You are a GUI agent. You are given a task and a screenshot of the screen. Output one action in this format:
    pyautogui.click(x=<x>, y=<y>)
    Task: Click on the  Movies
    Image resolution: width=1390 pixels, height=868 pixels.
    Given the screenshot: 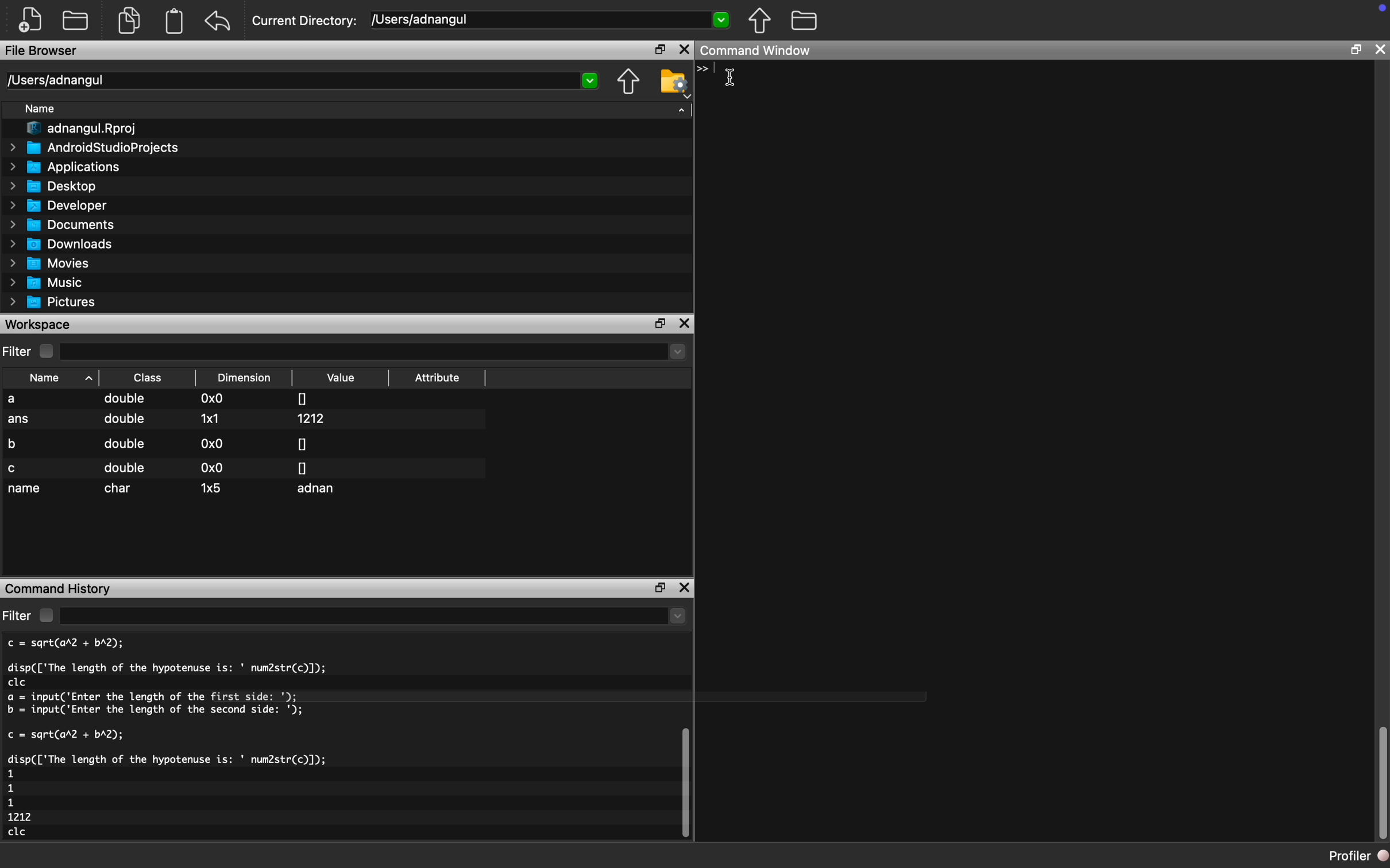 What is the action you would take?
    pyautogui.click(x=51, y=263)
    